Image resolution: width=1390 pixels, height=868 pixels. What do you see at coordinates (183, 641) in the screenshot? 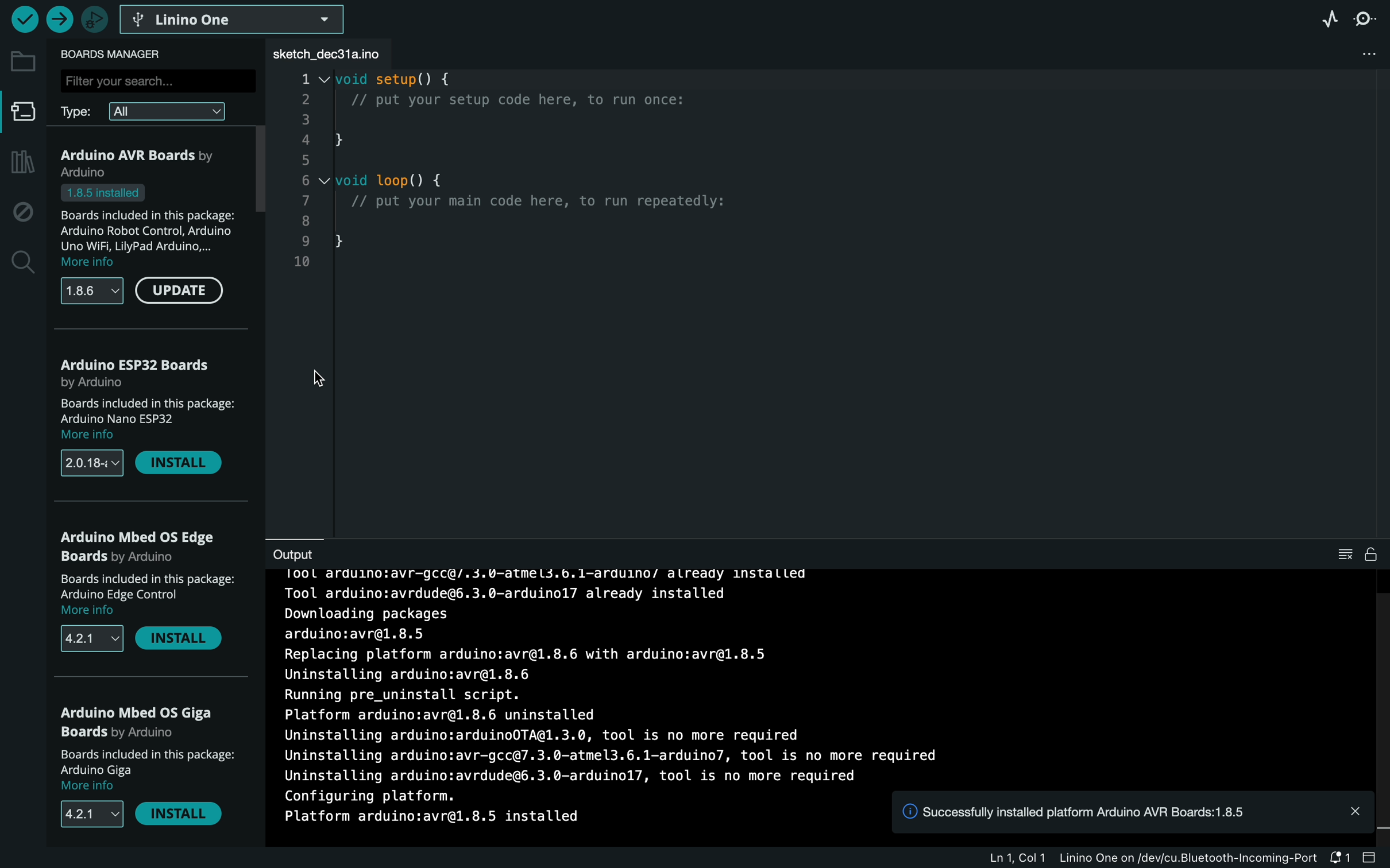
I see `install` at bounding box center [183, 641].